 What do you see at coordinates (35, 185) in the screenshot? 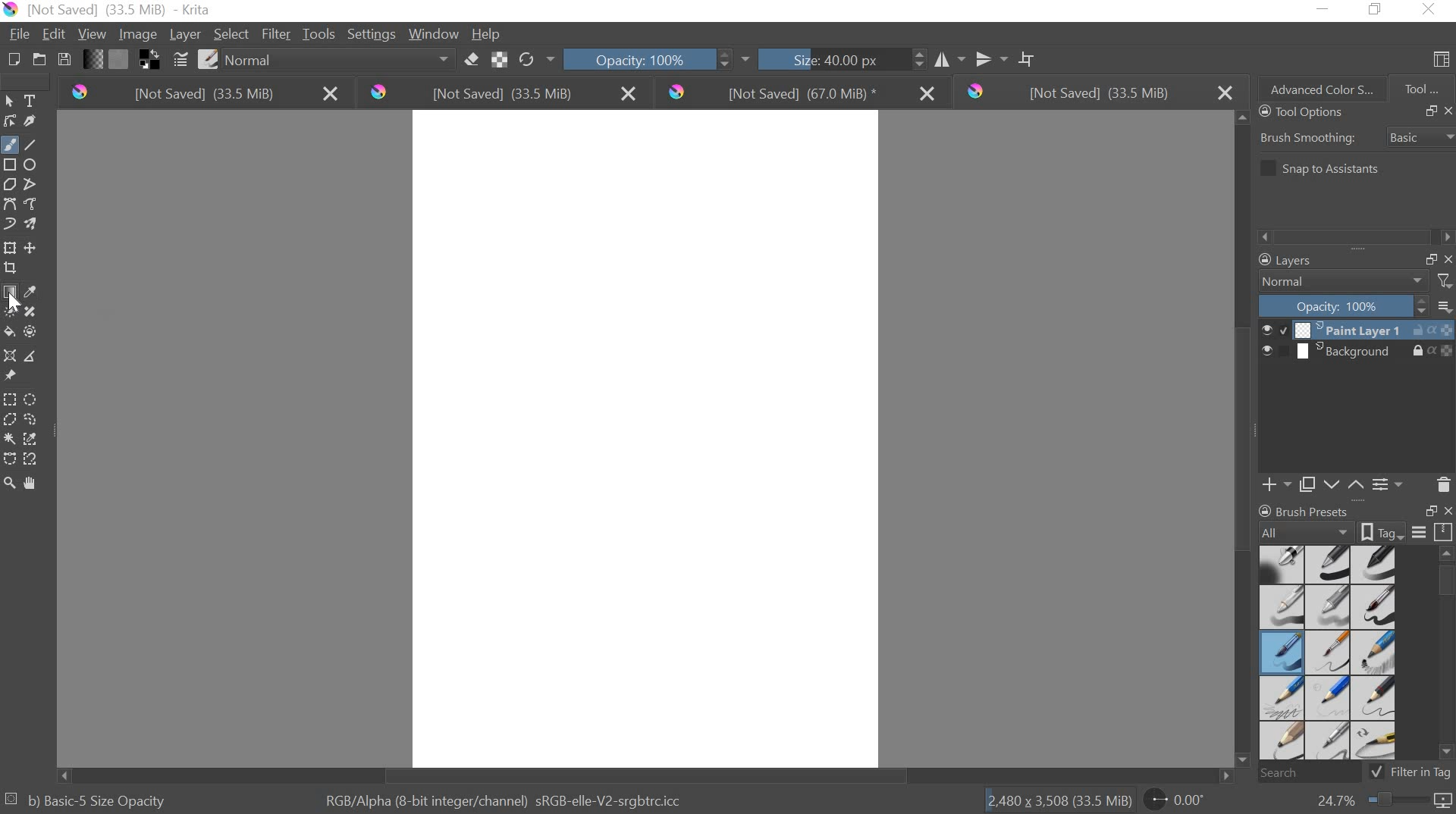
I see `polyline` at bounding box center [35, 185].